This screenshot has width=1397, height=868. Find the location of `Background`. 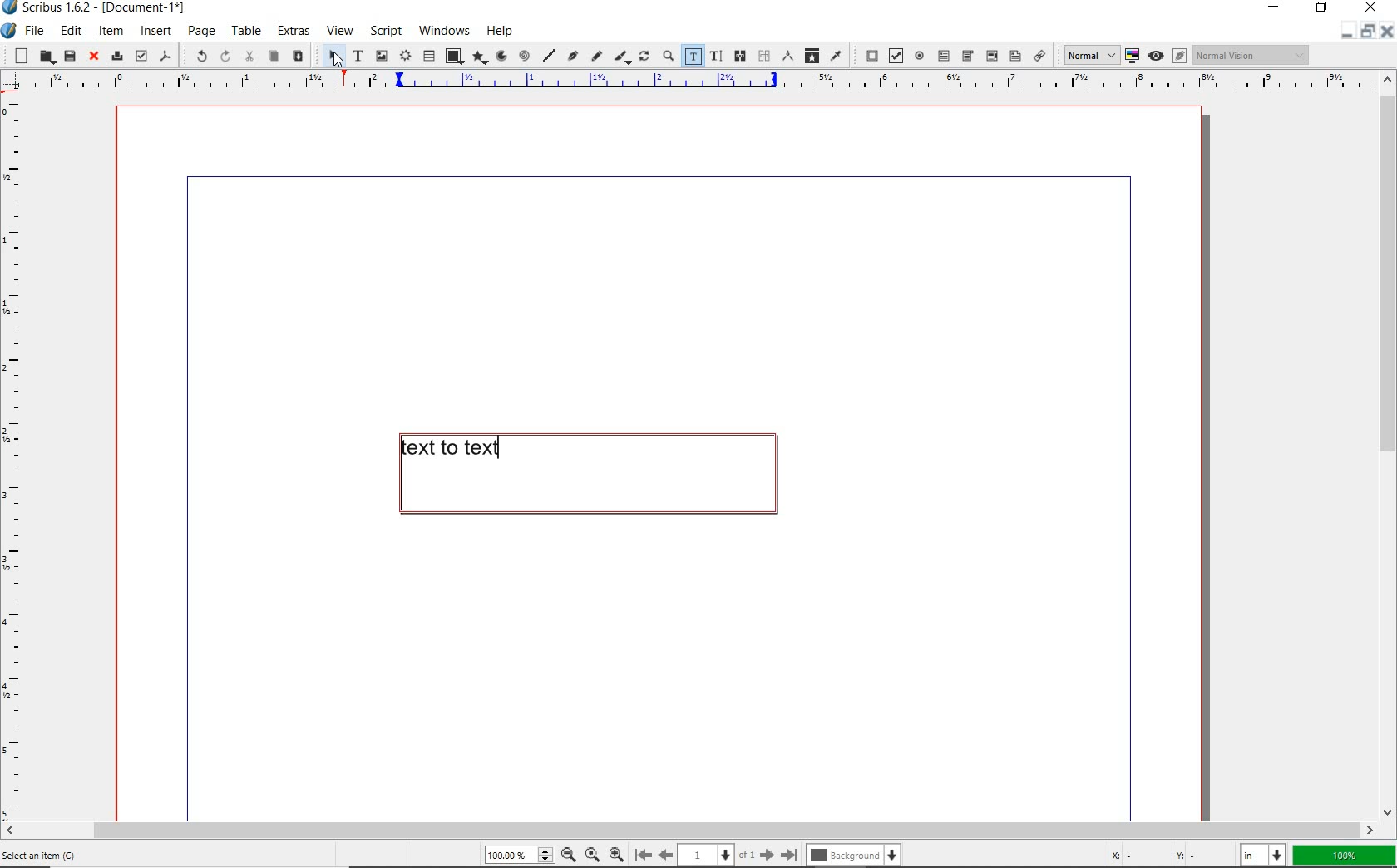

Background is located at coordinates (855, 856).